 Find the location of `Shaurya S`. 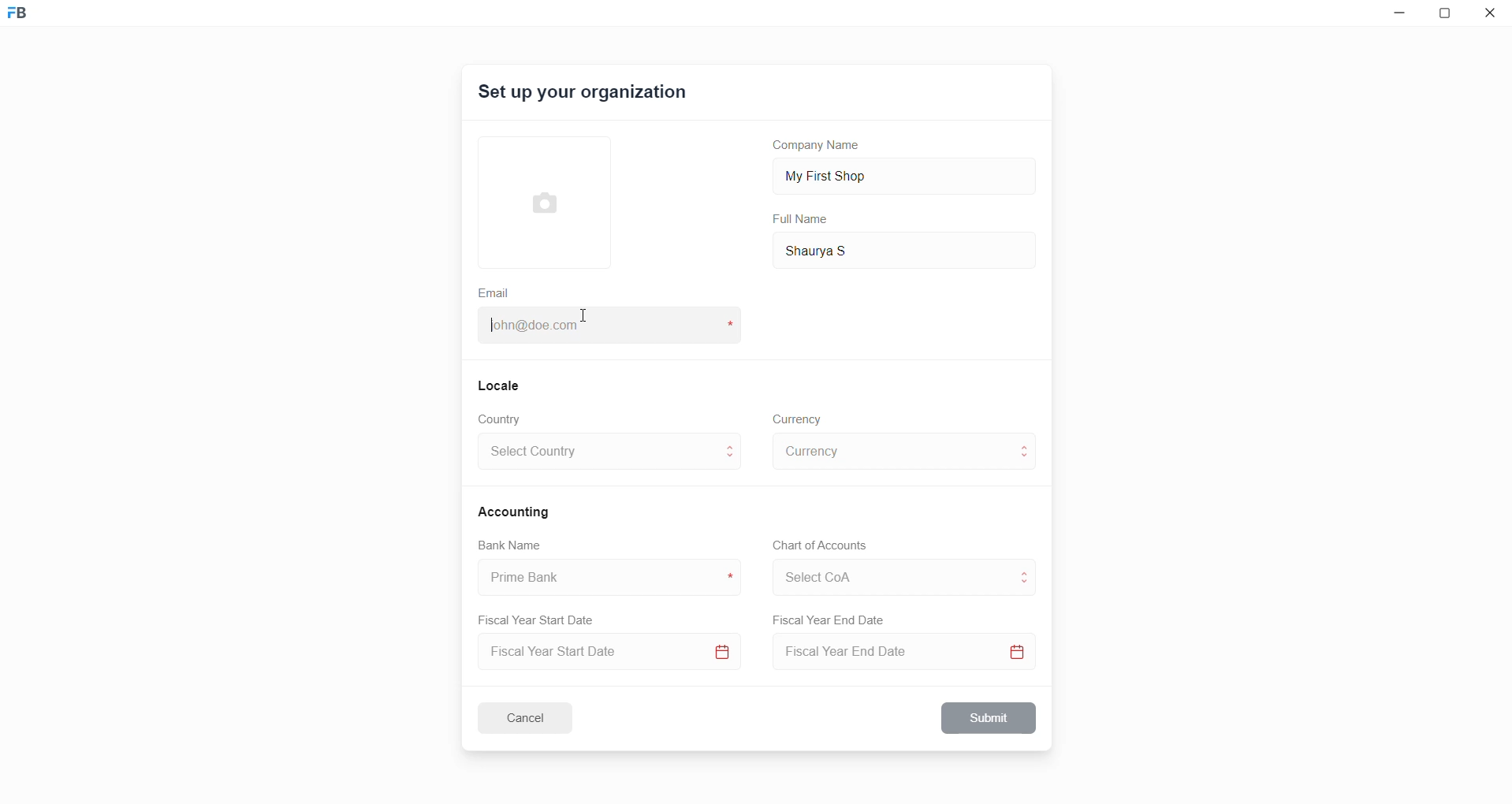

Shaurya S is located at coordinates (840, 249).